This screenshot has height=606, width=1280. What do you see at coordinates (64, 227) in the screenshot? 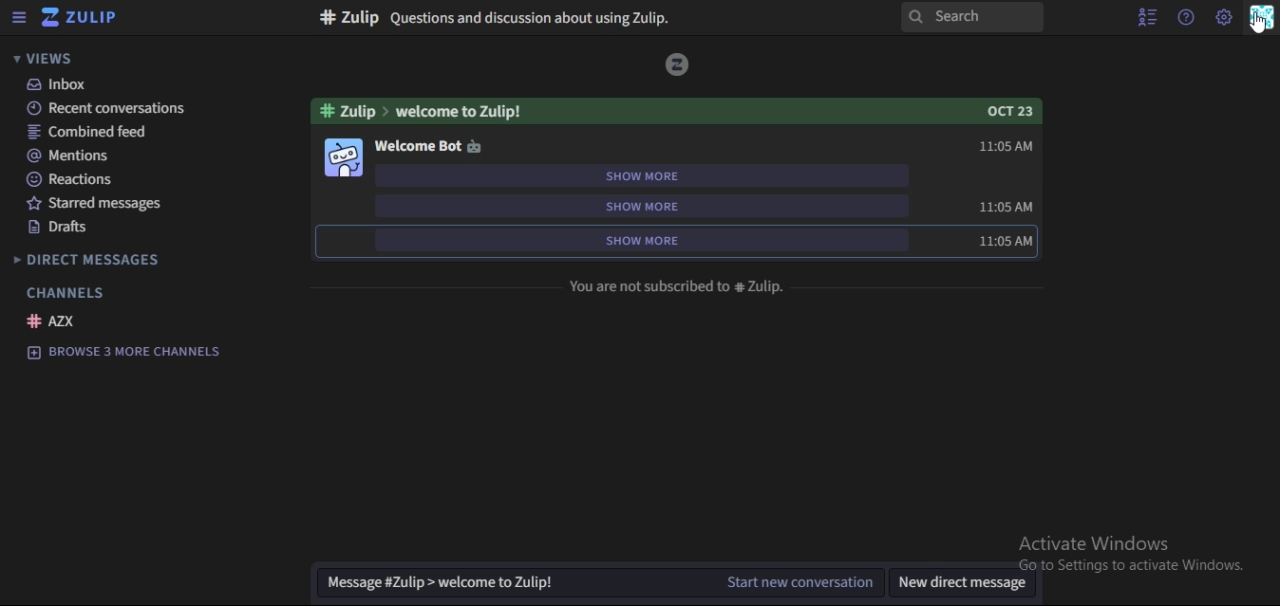
I see `drafts` at bounding box center [64, 227].